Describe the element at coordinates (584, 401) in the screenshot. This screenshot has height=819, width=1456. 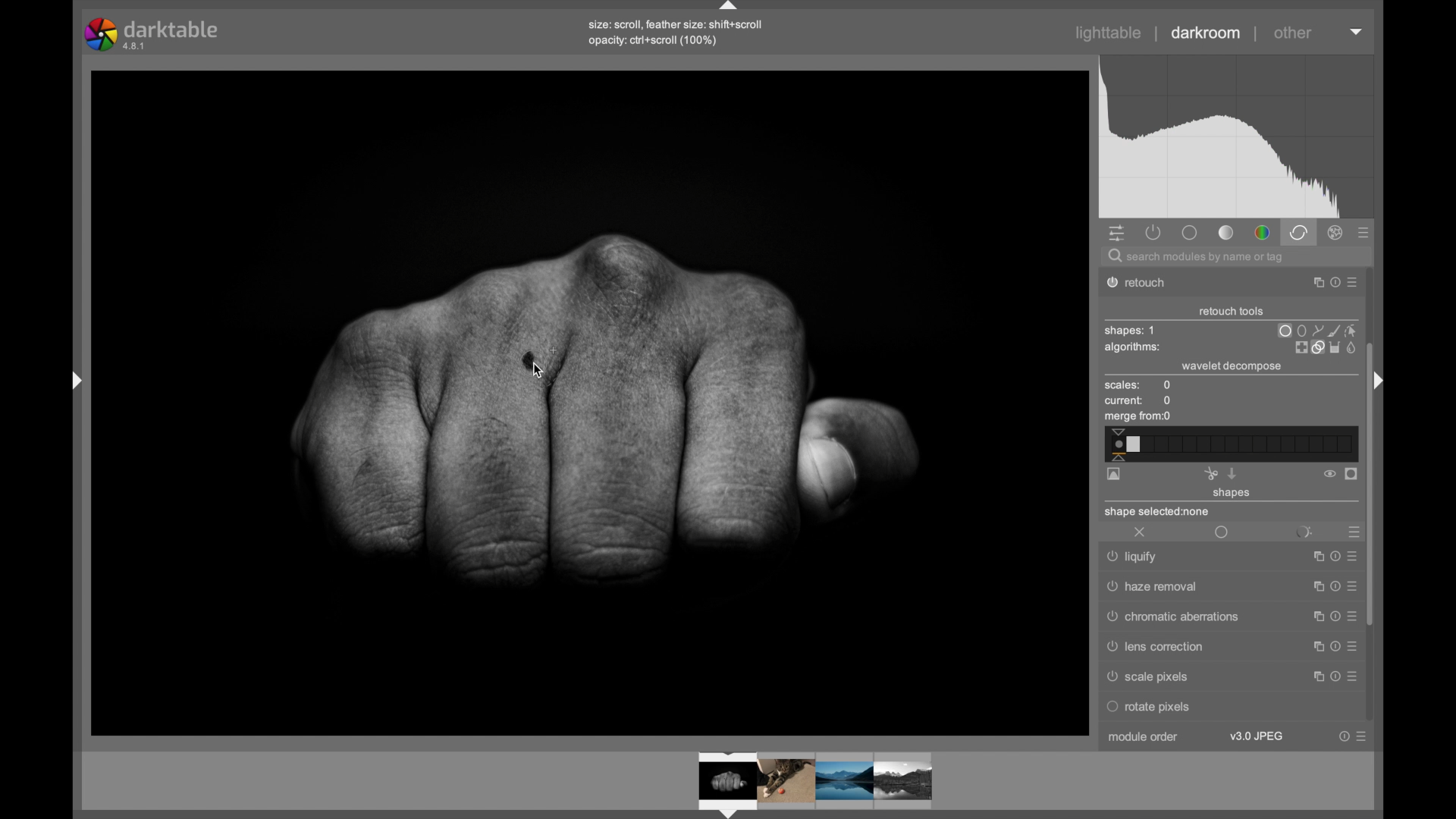
I see `photo` at that location.